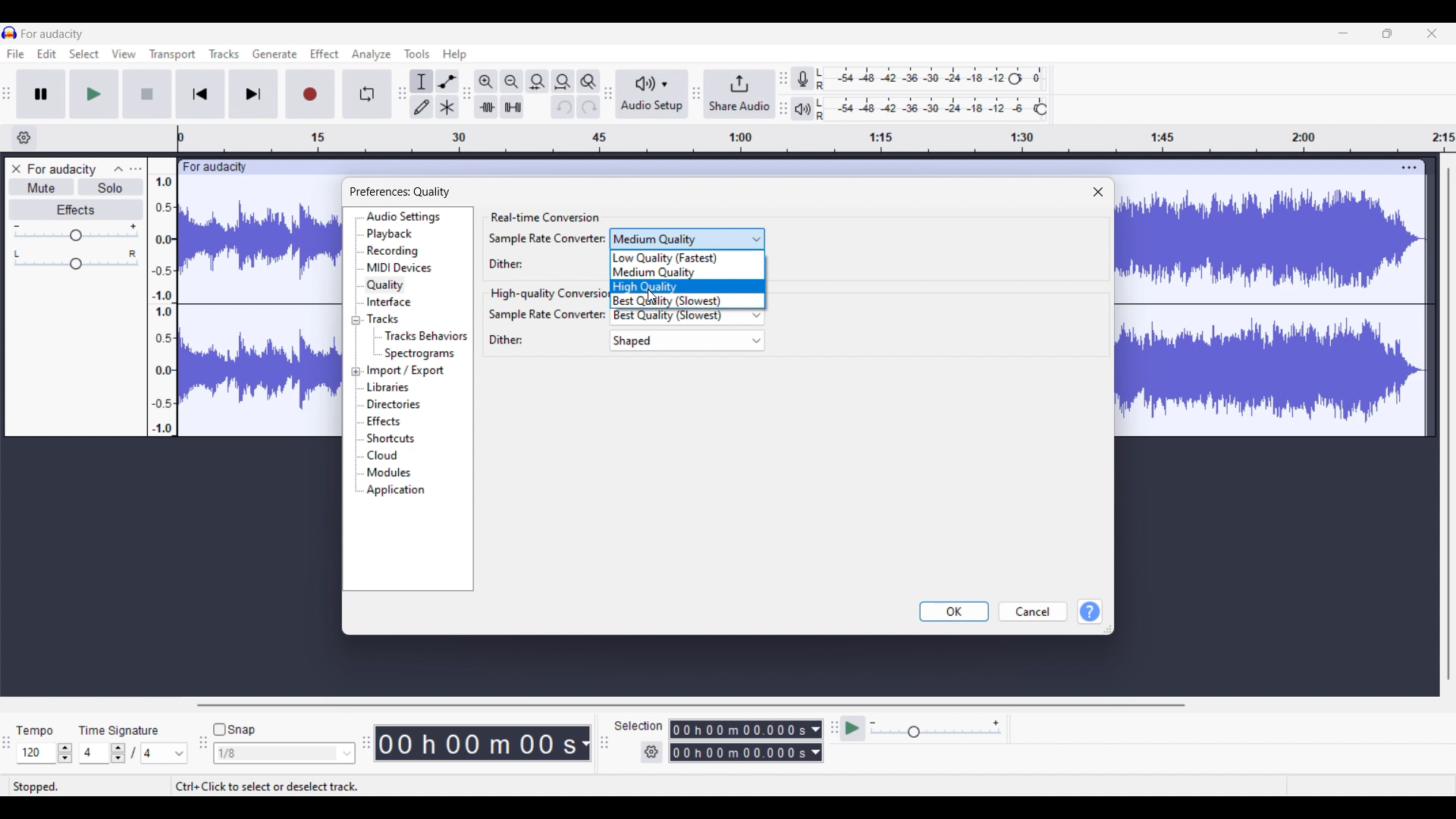 The width and height of the screenshot is (1456, 819). What do you see at coordinates (200, 94) in the screenshot?
I see `Skip/Select to start` at bounding box center [200, 94].